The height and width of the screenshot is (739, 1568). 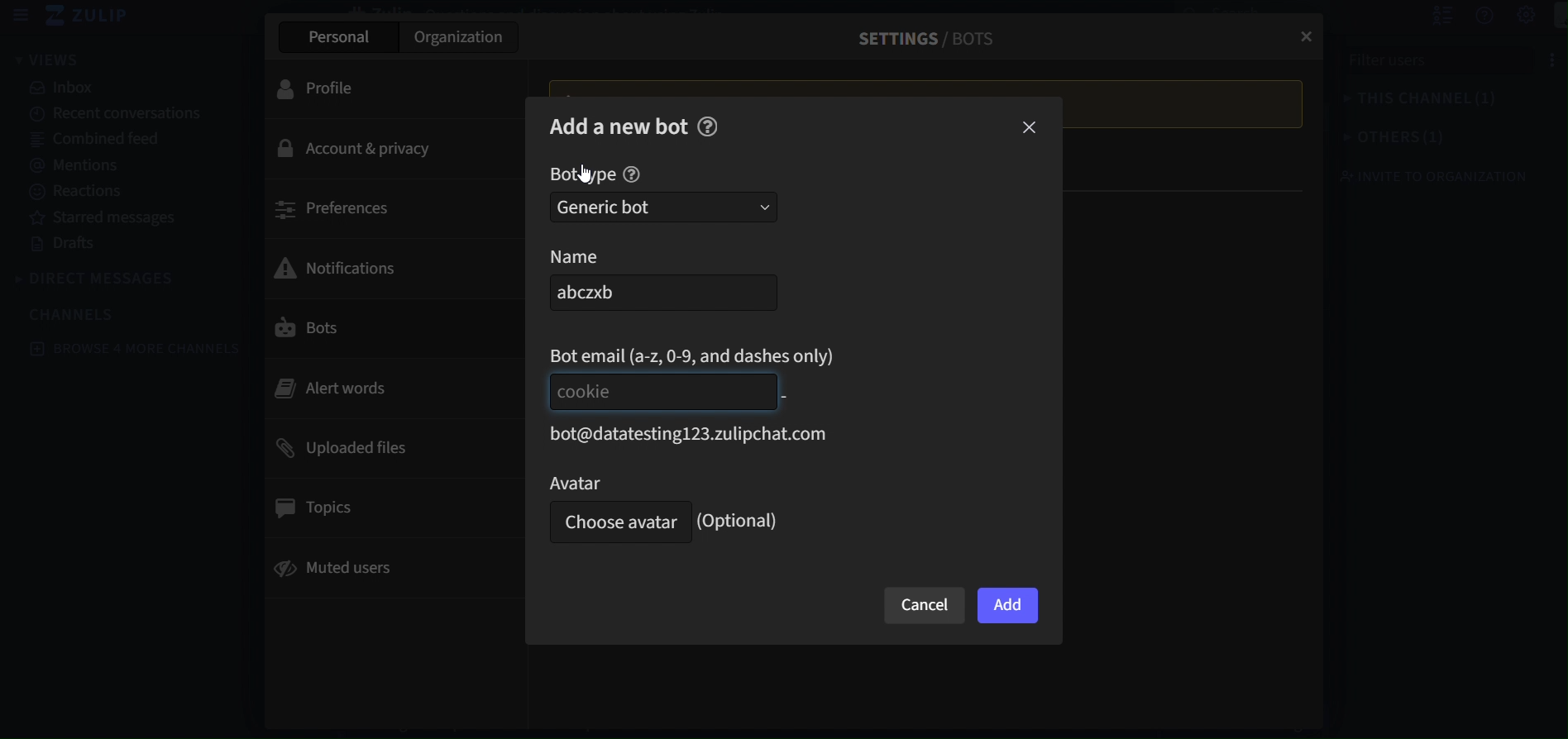 I want to click on starred messages, so click(x=122, y=216).